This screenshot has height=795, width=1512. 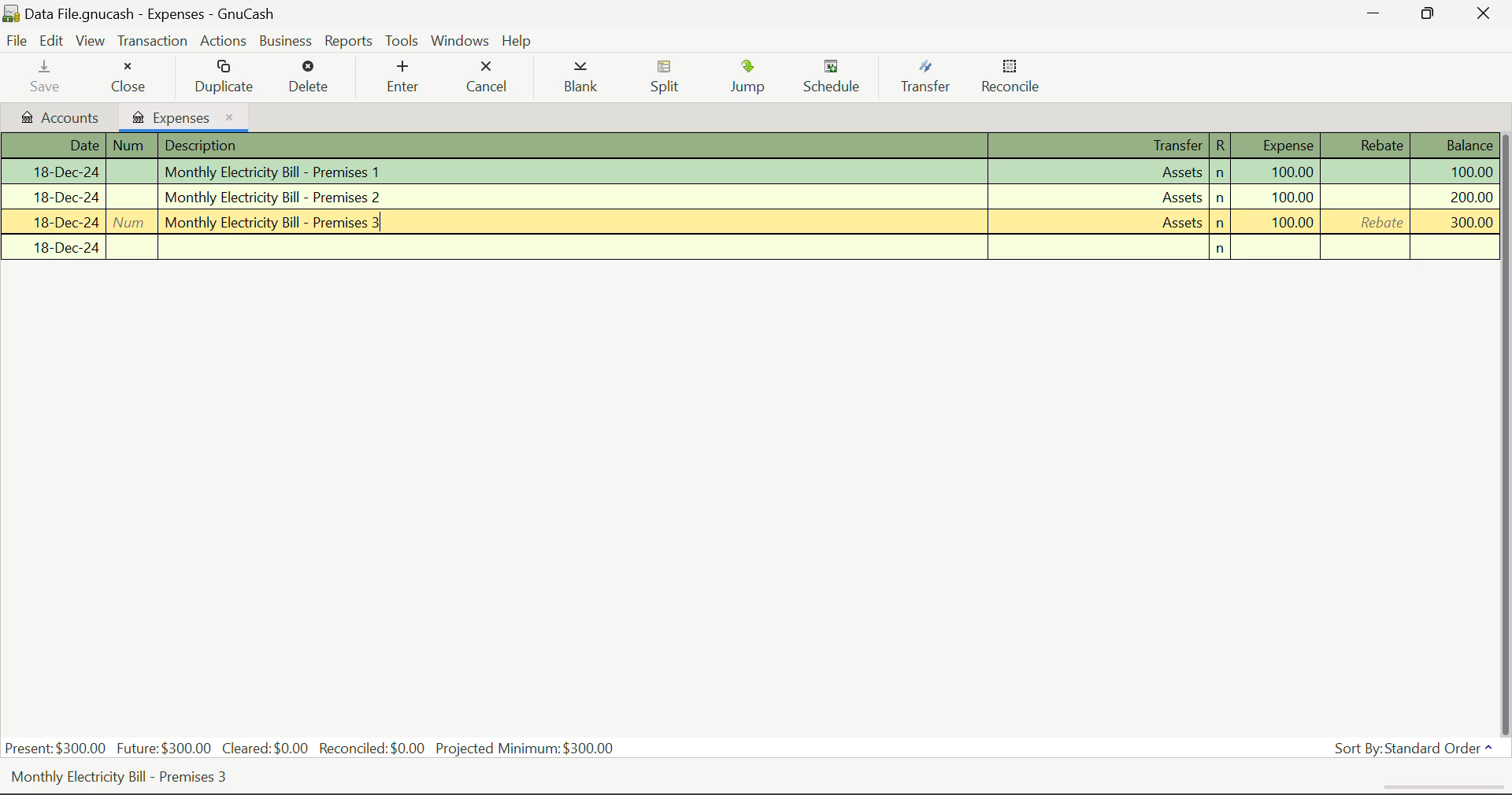 What do you see at coordinates (1414, 749) in the screenshot?
I see `Sort By: Standard Order` at bounding box center [1414, 749].